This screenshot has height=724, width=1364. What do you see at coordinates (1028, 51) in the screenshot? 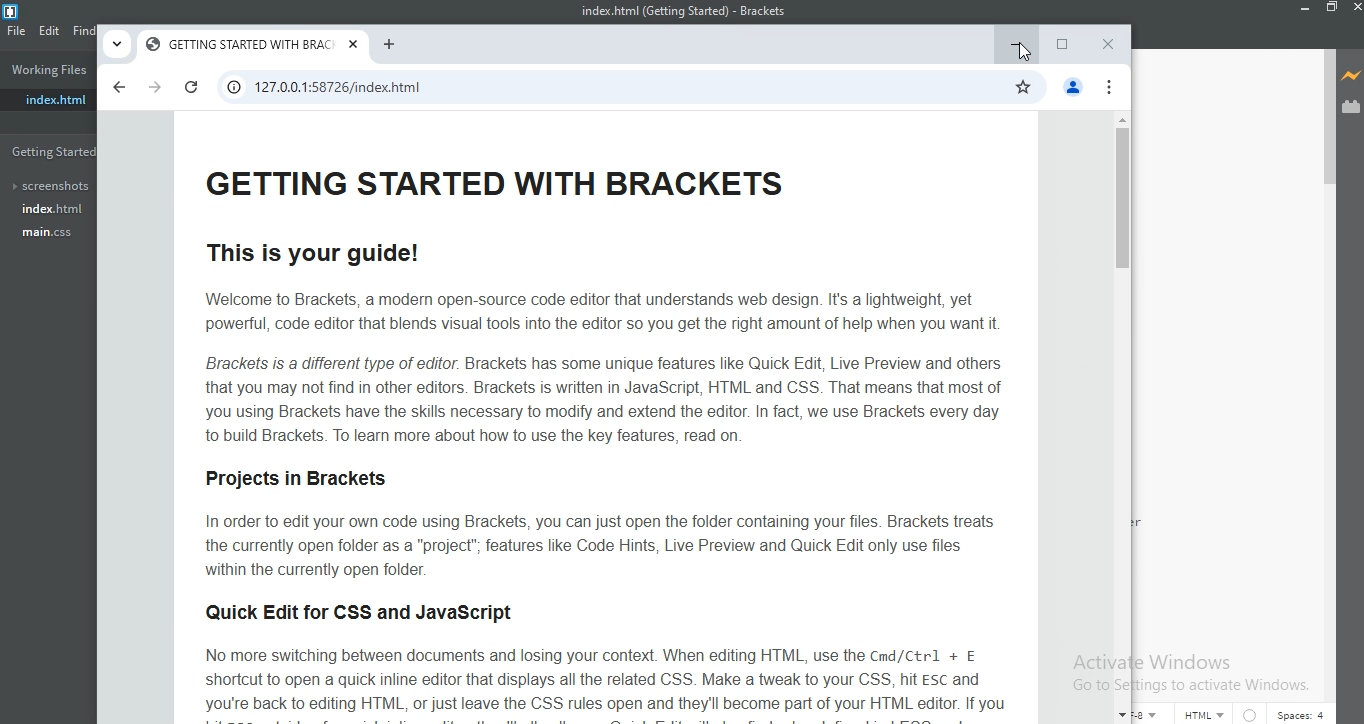
I see `cursor` at bounding box center [1028, 51].